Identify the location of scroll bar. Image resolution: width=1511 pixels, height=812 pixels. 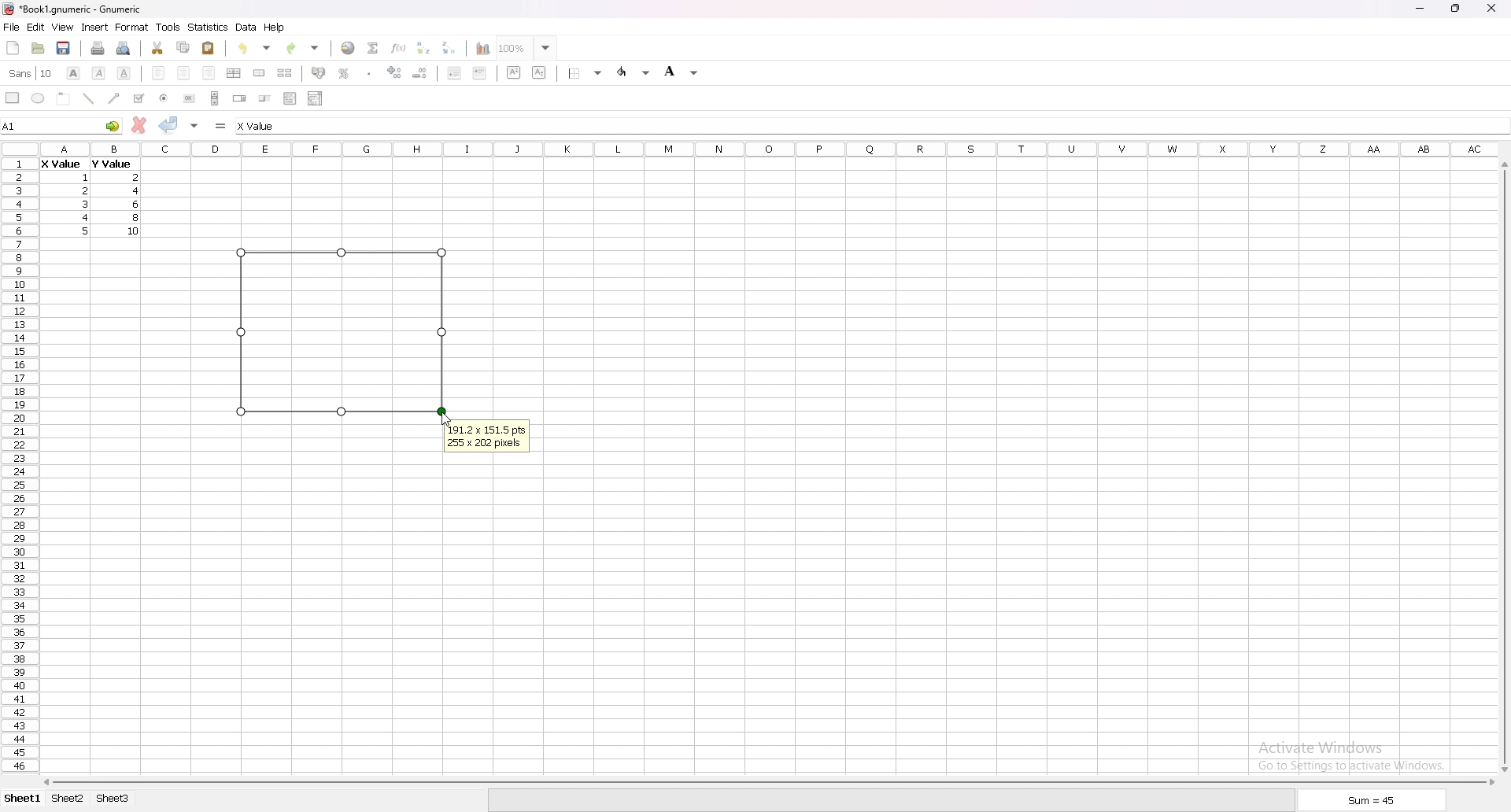
(767, 782).